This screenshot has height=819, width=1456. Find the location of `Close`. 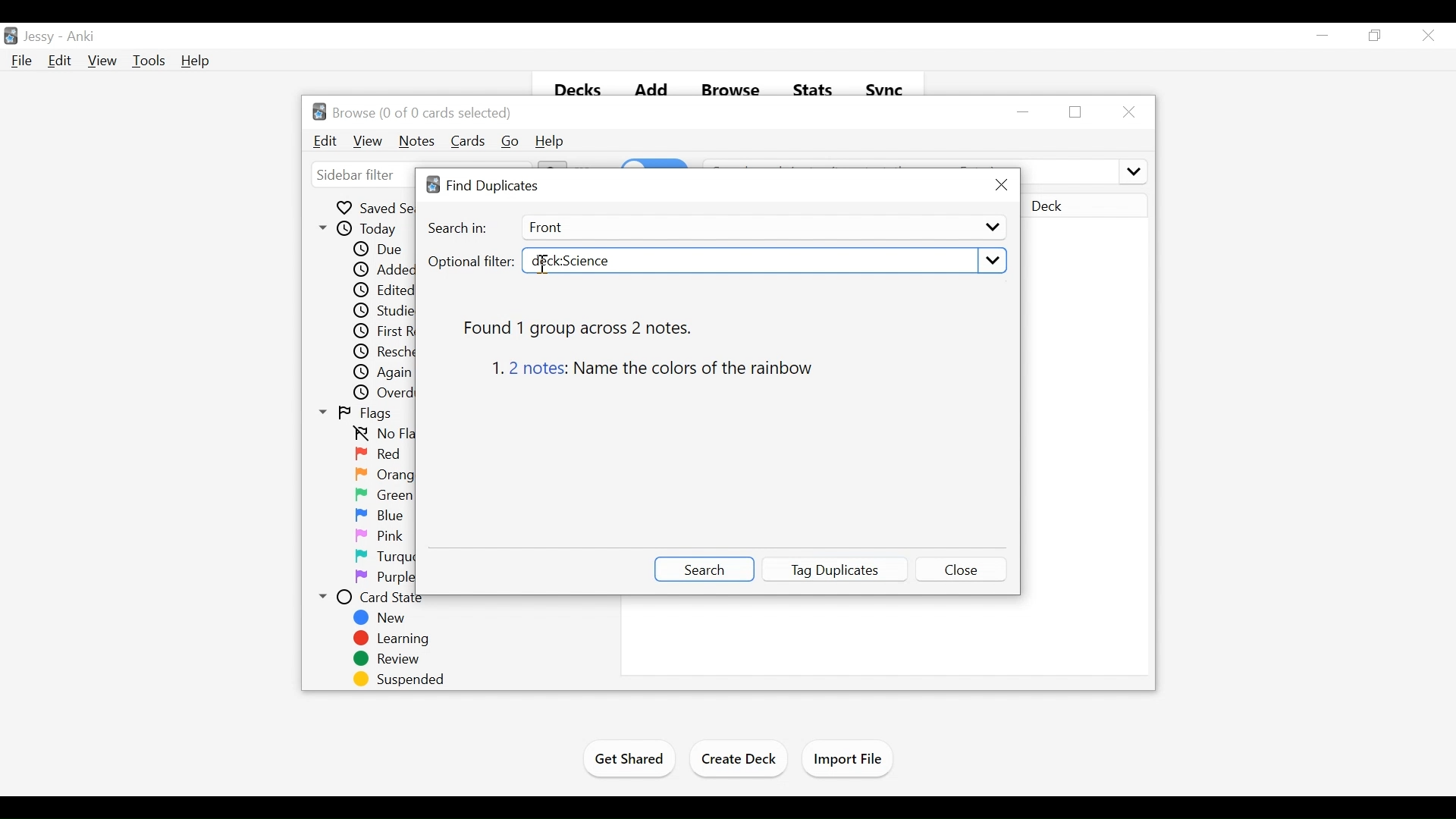

Close is located at coordinates (1127, 111).